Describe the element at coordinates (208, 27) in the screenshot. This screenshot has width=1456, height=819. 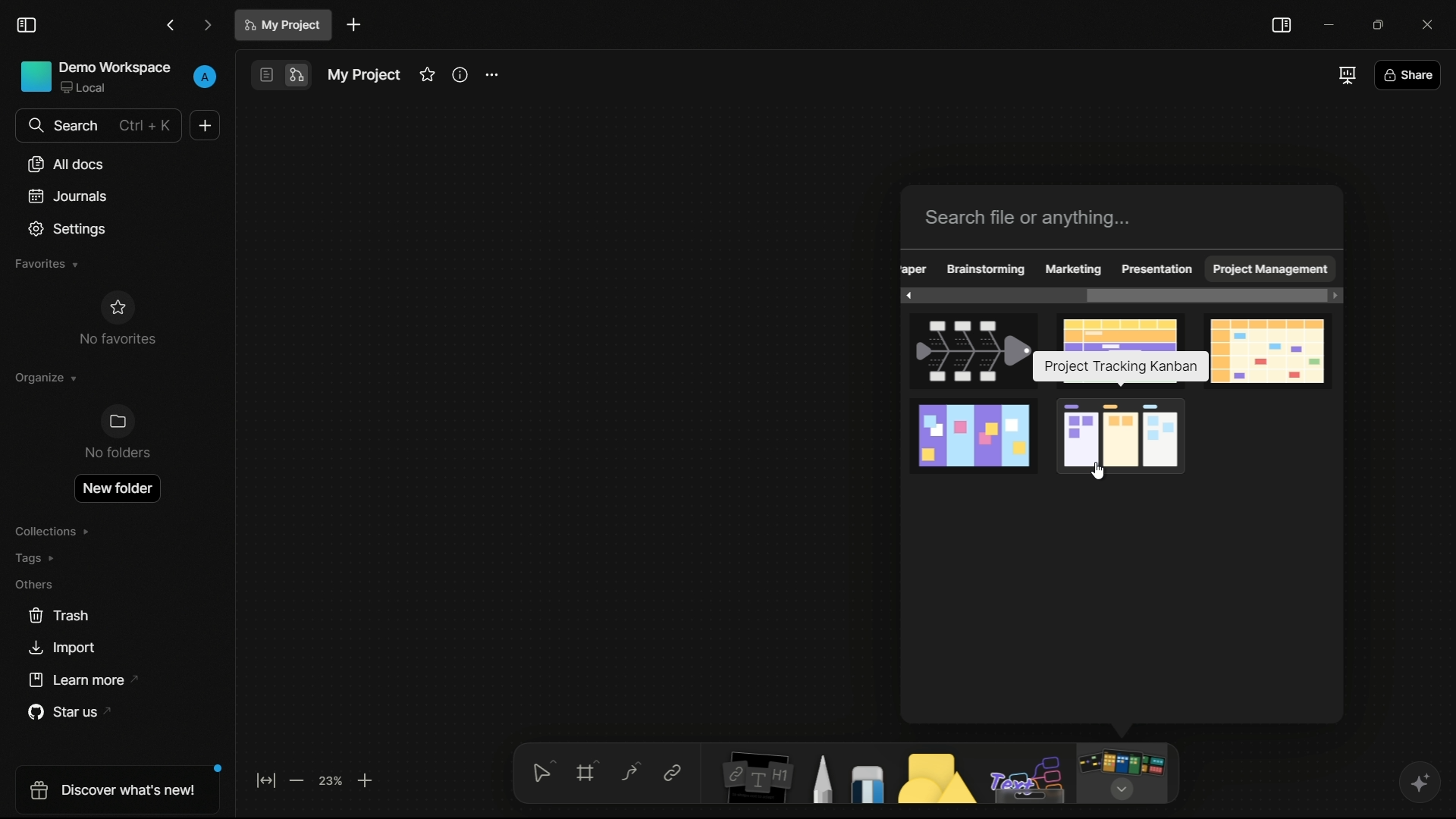
I see `forward` at that location.